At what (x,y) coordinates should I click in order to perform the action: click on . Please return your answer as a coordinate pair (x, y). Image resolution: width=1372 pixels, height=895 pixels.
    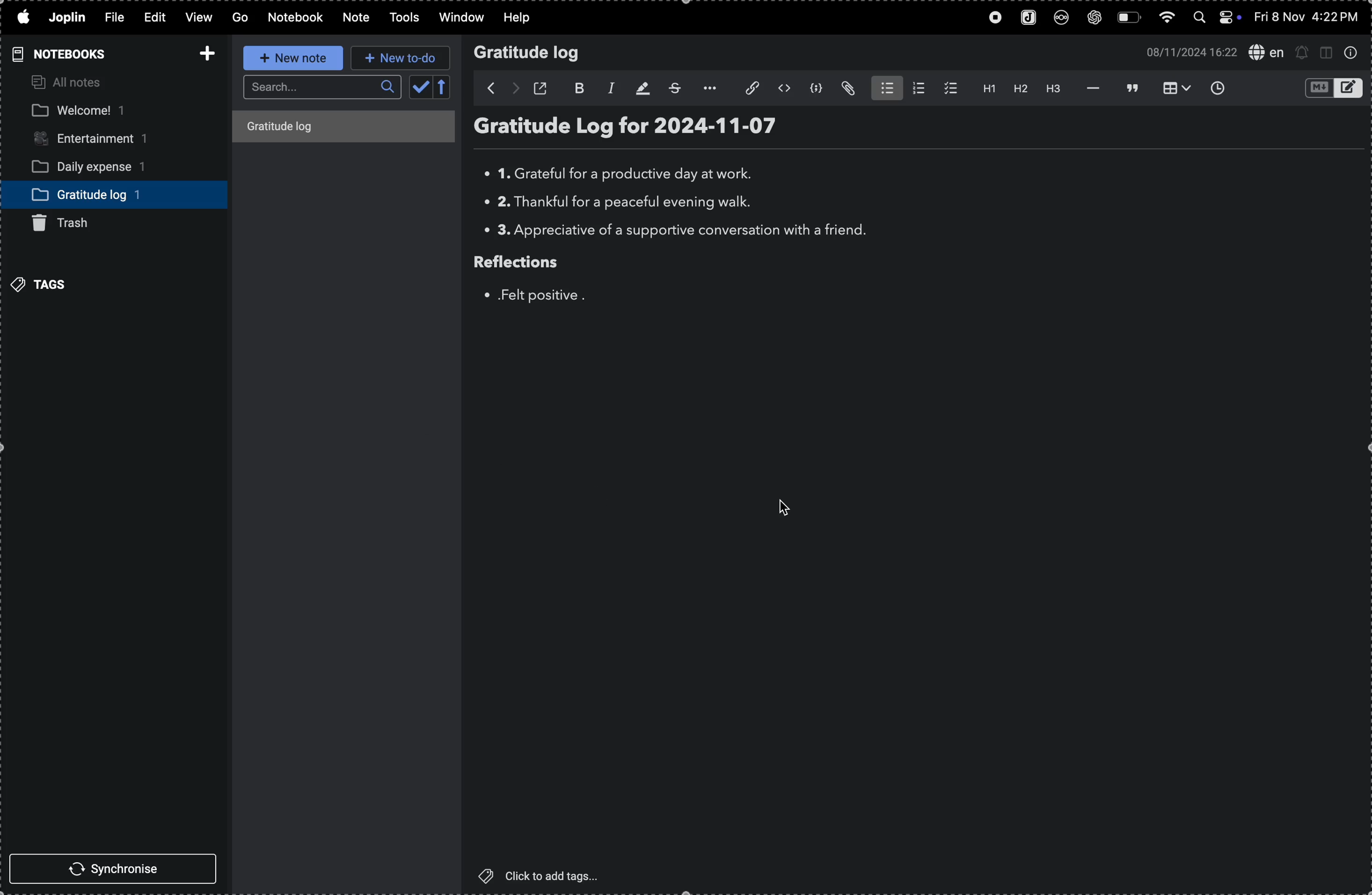
    Looking at the image, I should click on (1336, 87).